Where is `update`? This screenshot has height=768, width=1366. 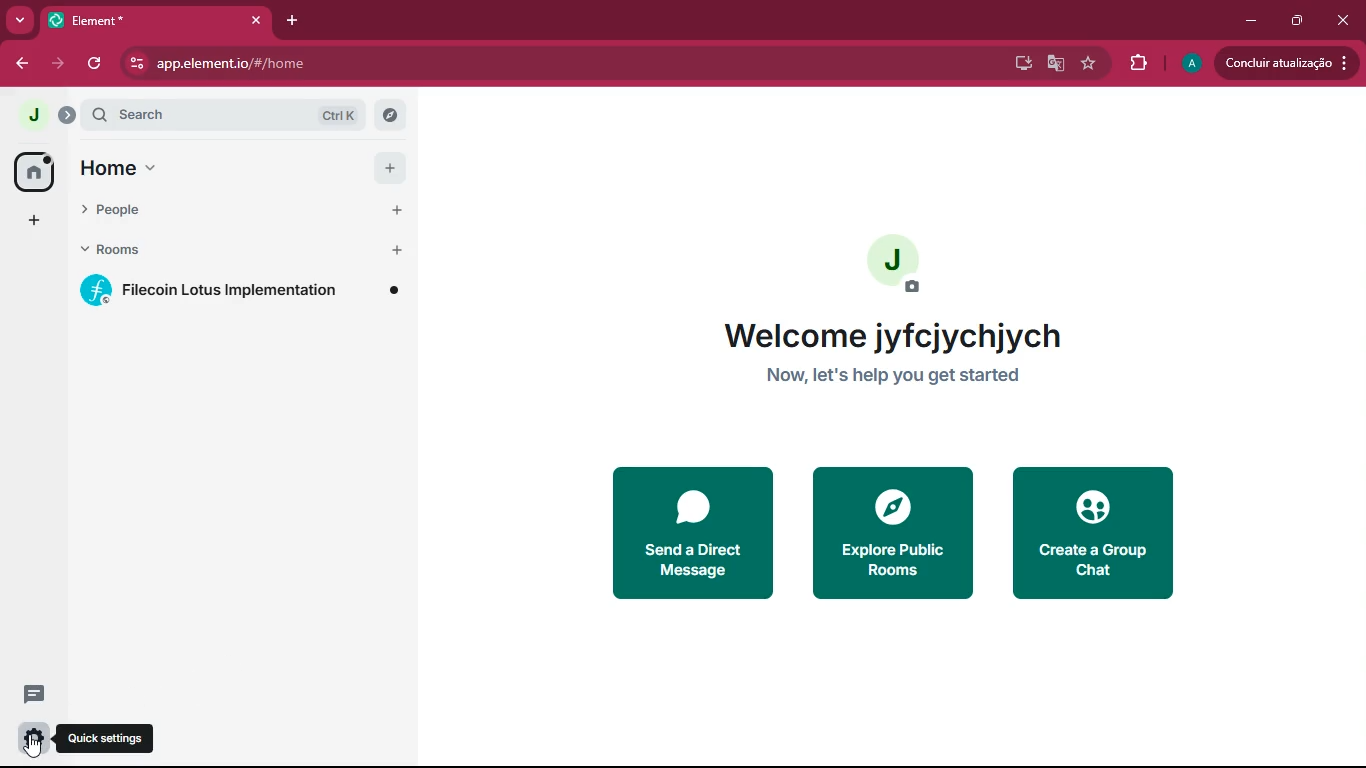 update is located at coordinates (1287, 63).